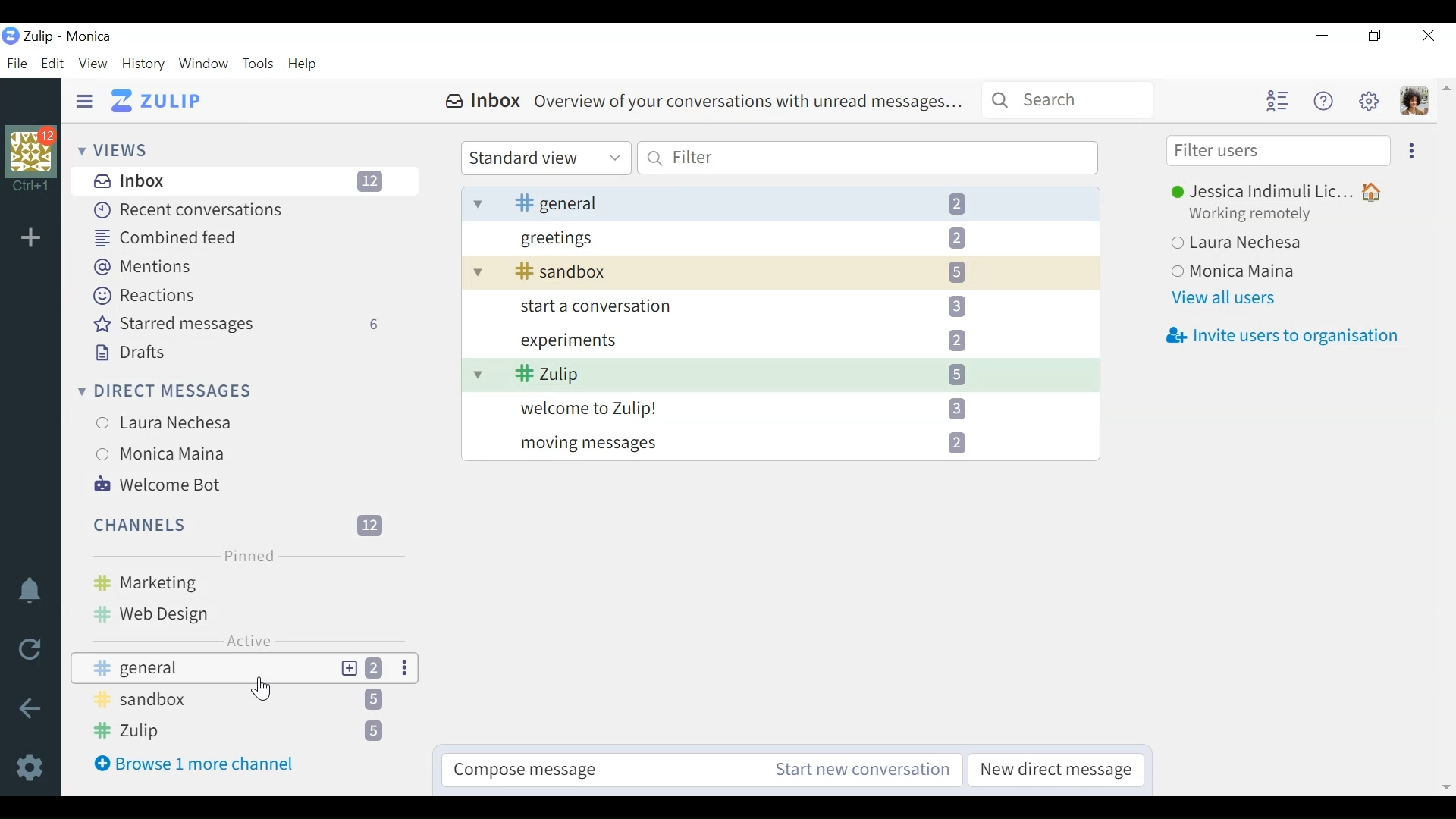  What do you see at coordinates (113, 149) in the screenshot?
I see `Views` at bounding box center [113, 149].